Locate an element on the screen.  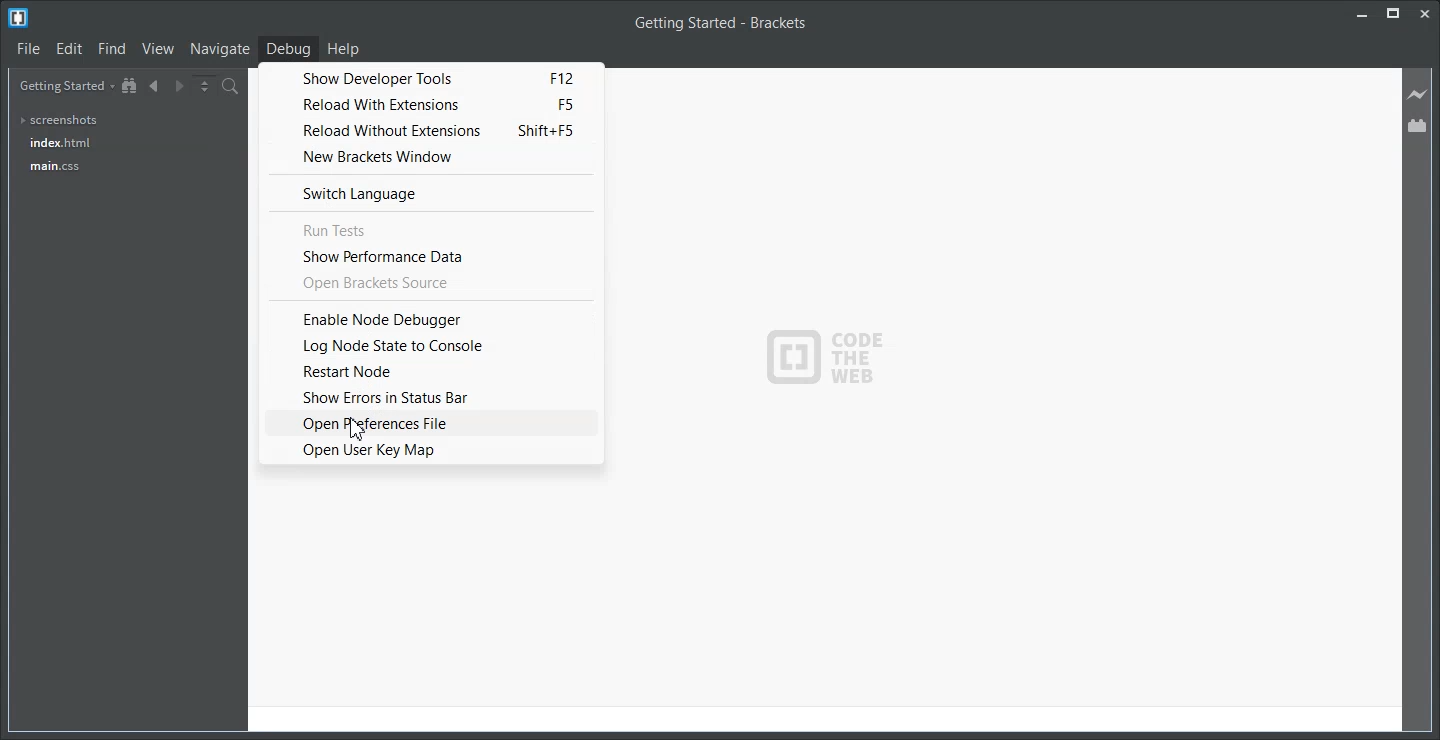
Minimize is located at coordinates (1362, 11).